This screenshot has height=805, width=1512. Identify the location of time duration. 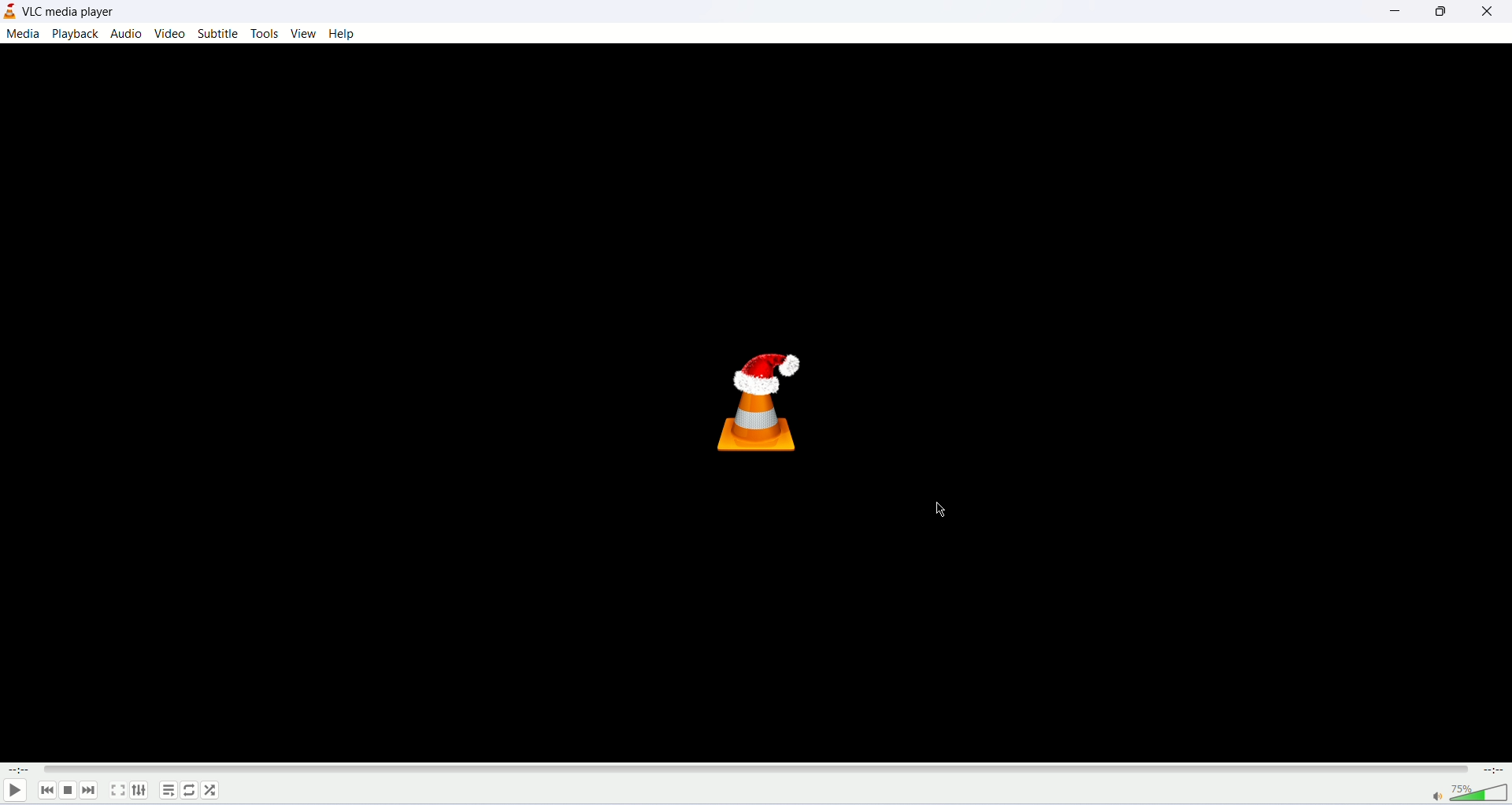
(1495, 770).